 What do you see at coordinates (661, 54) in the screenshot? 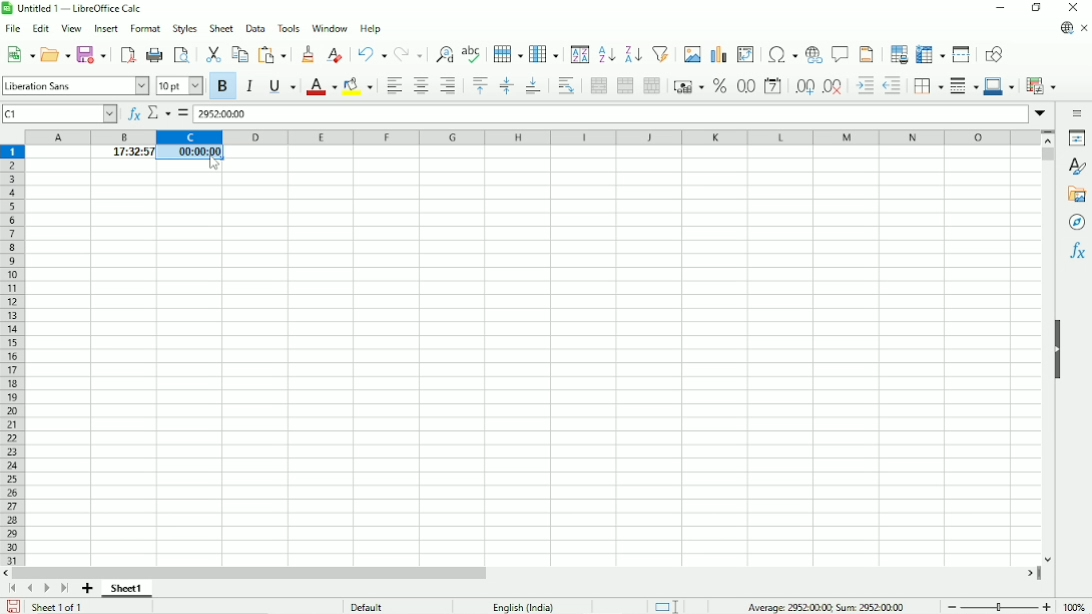
I see `Autofilter` at bounding box center [661, 54].